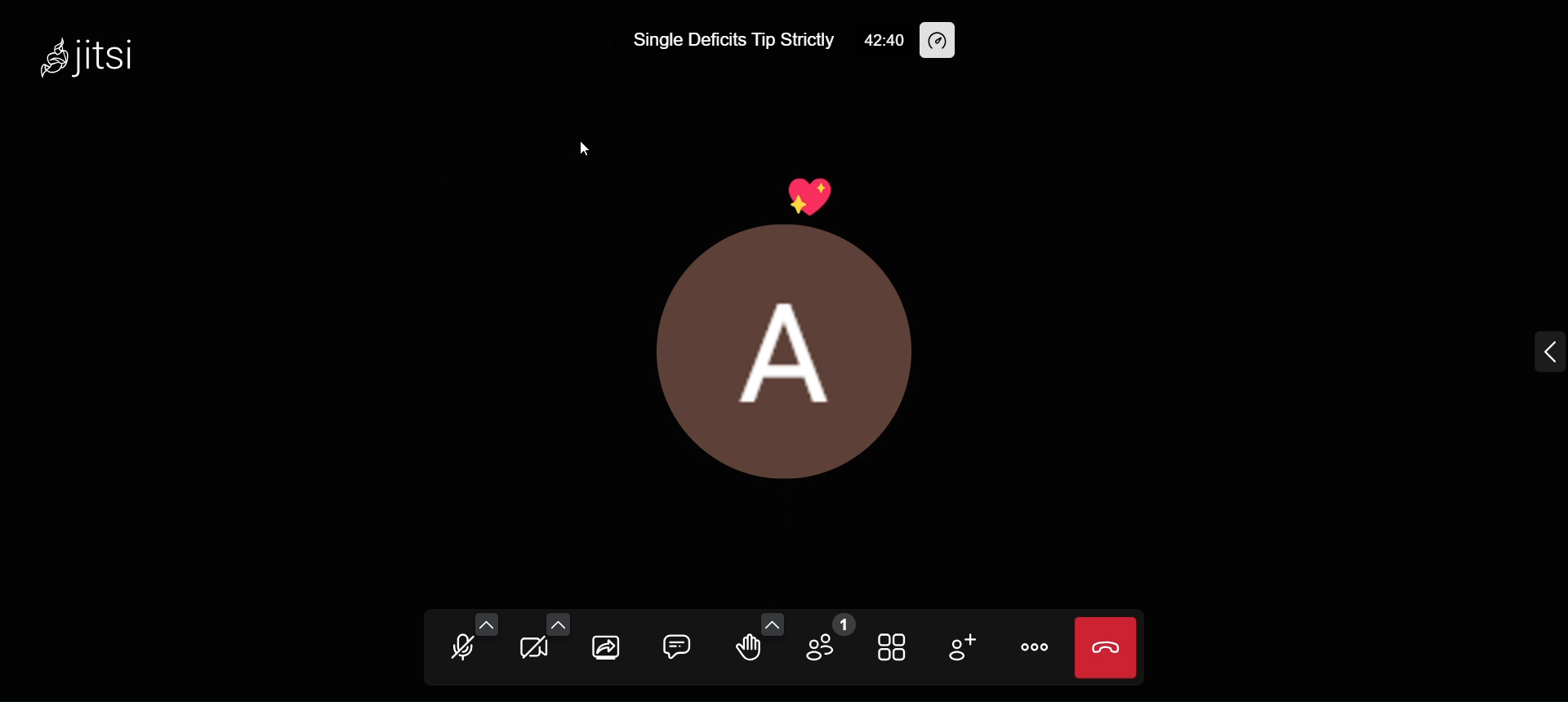 This screenshot has height=702, width=1568. What do you see at coordinates (1106, 646) in the screenshot?
I see `End Meeting` at bounding box center [1106, 646].